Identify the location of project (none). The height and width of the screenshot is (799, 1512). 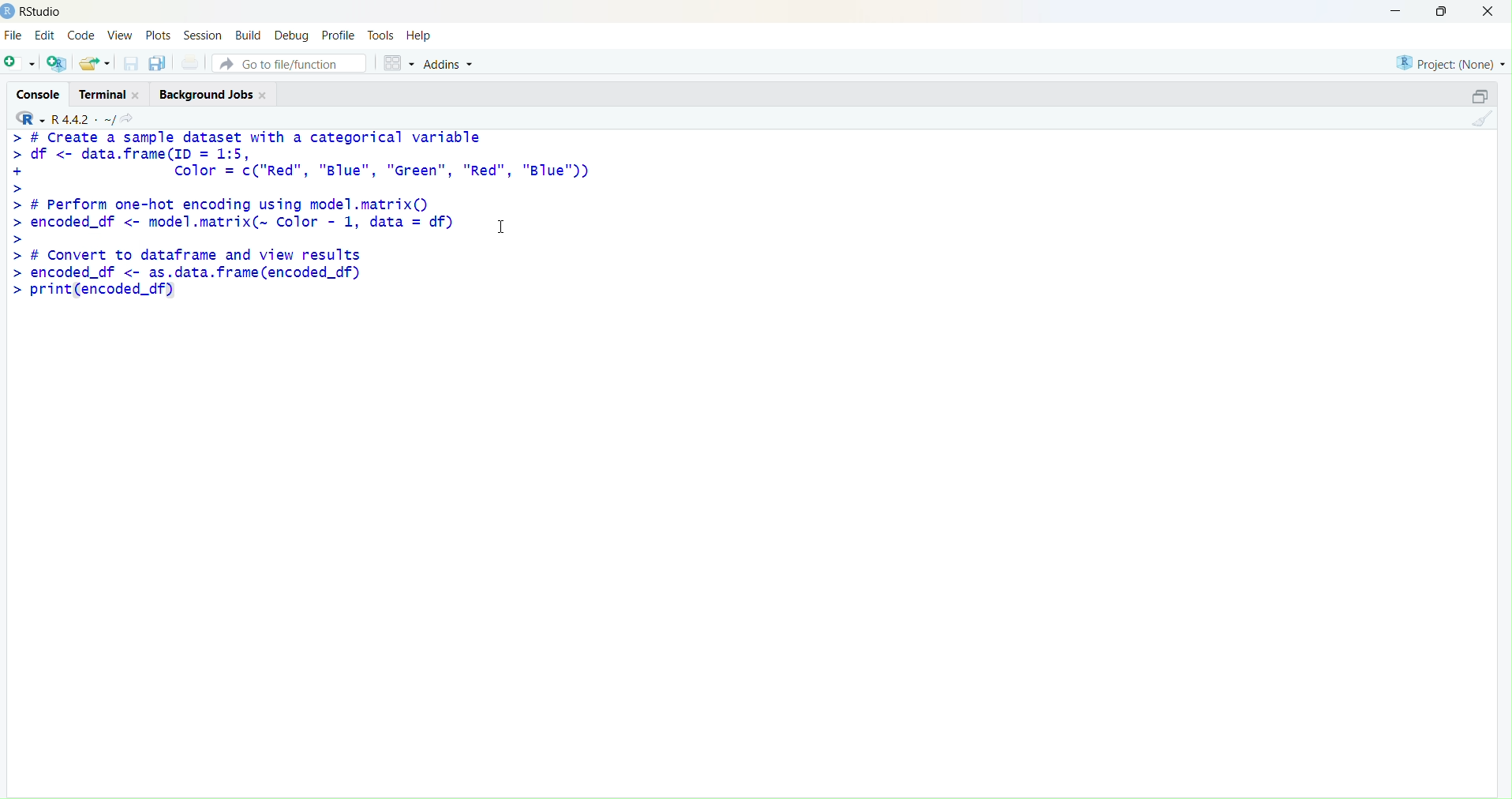
(1451, 63).